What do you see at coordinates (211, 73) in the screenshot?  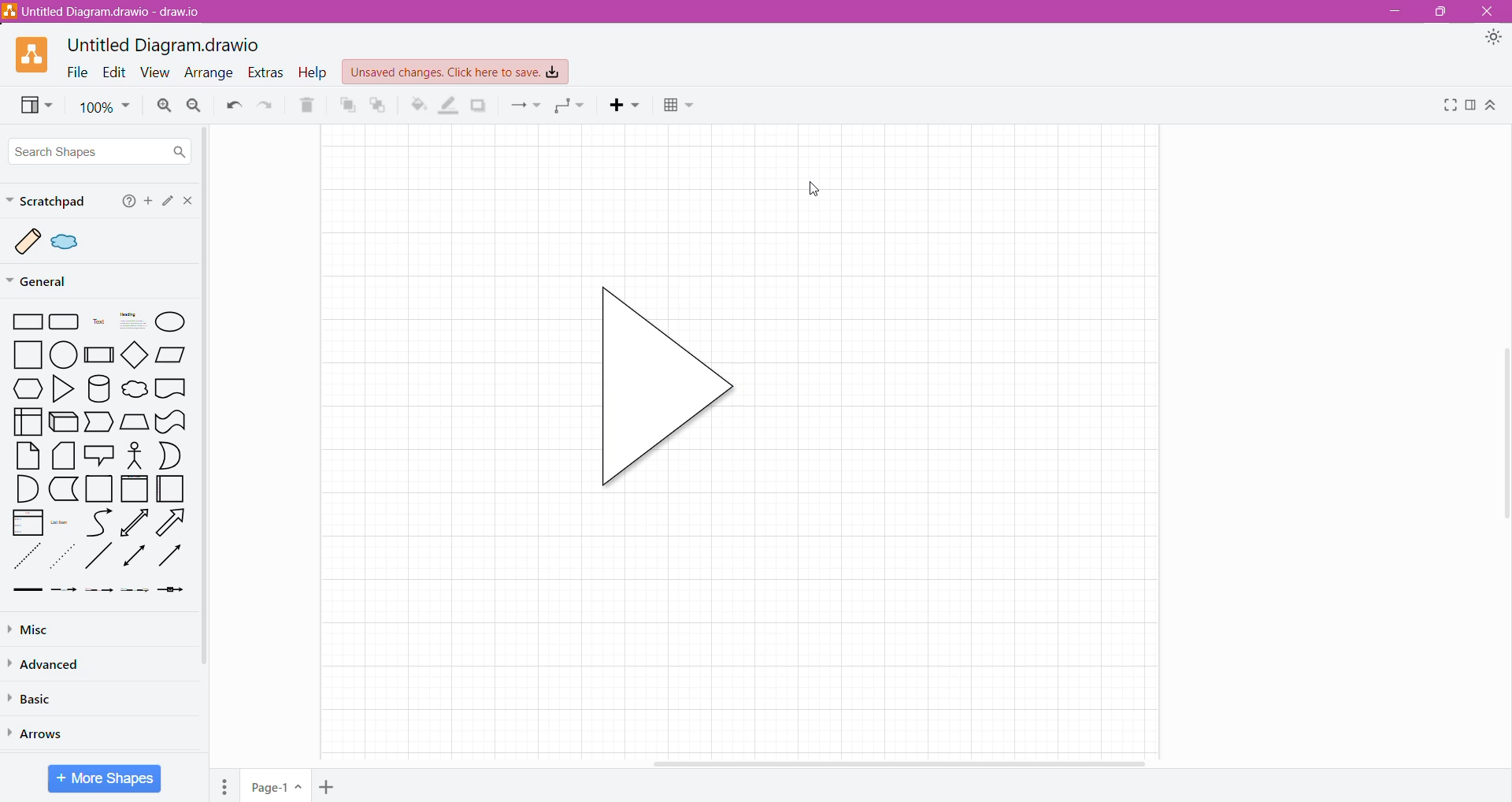 I see `Arrange` at bounding box center [211, 73].